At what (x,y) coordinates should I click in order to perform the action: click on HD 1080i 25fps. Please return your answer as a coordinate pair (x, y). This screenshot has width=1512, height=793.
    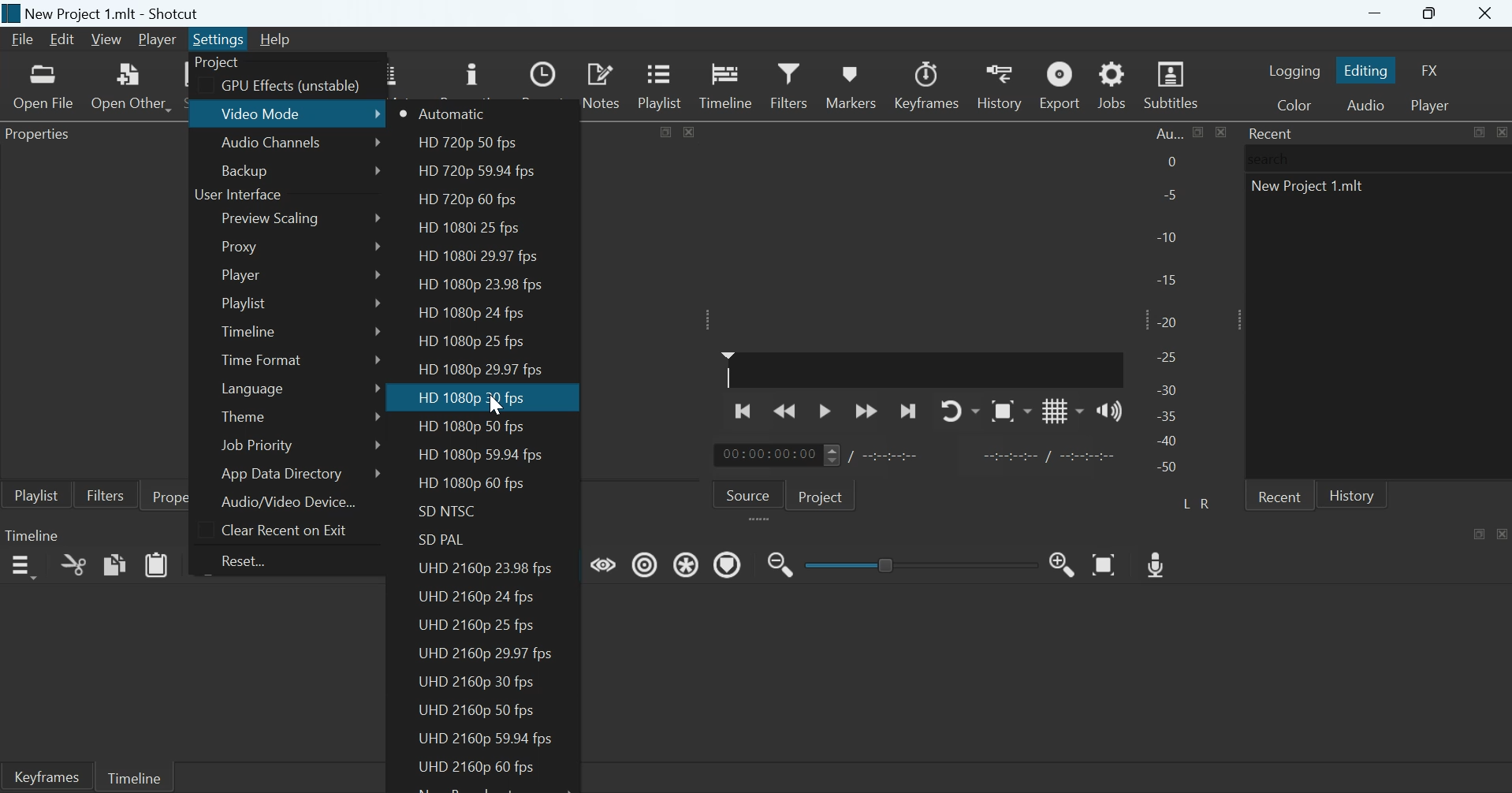
    Looking at the image, I should click on (474, 228).